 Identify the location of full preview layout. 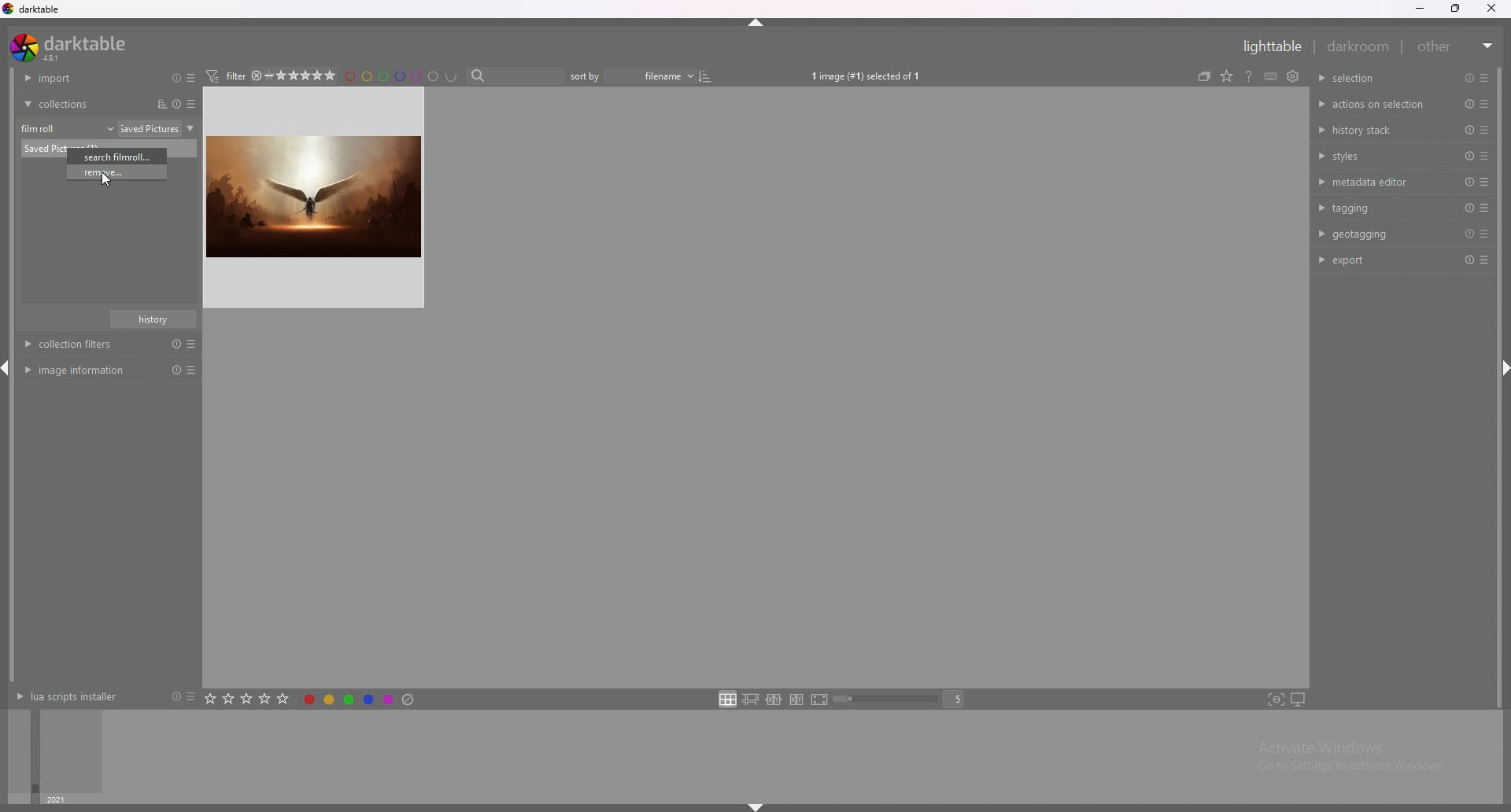
(820, 701).